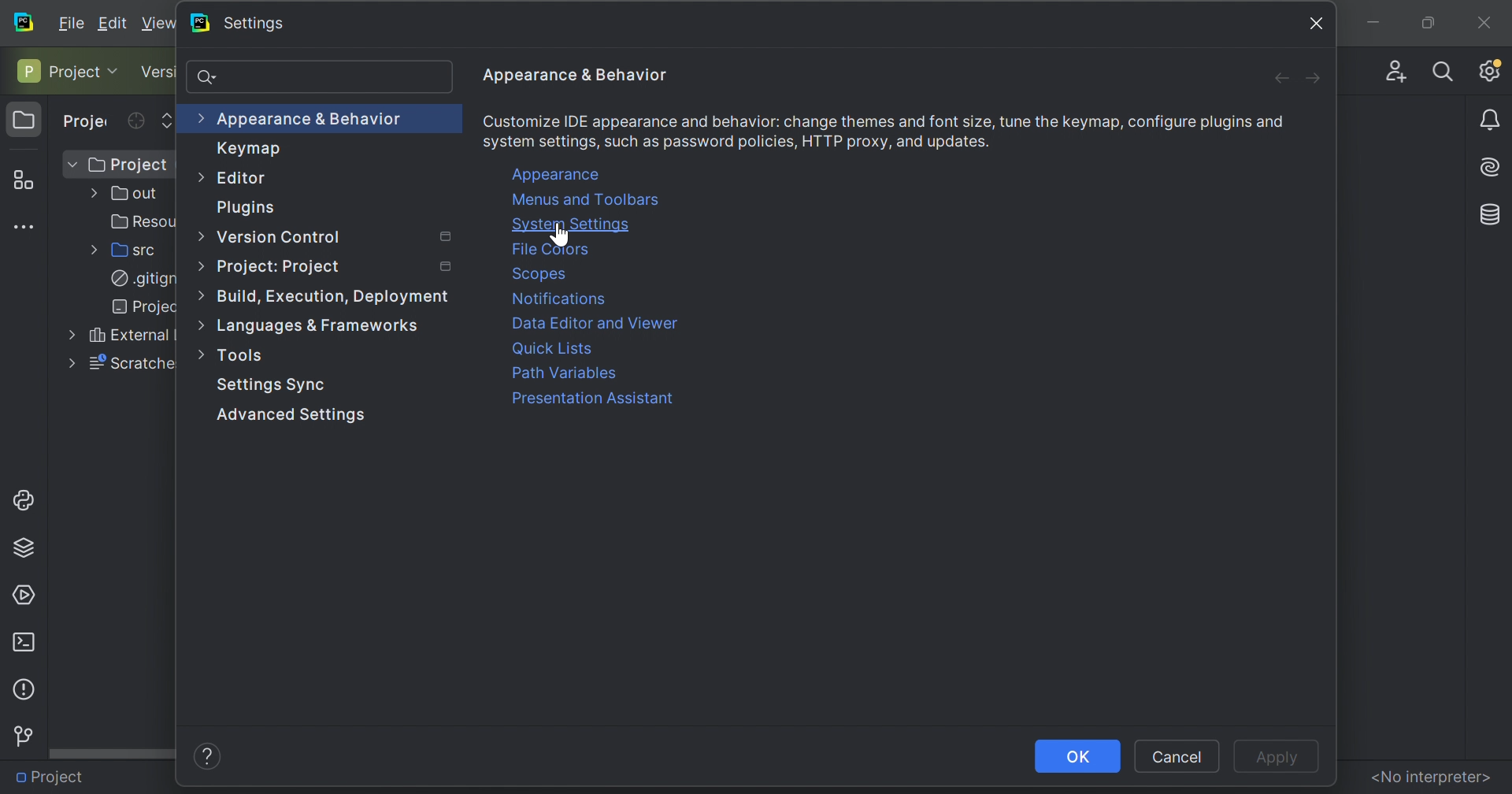  Describe the element at coordinates (563, 299) in the screenshot. I see `Notifications` at that location.